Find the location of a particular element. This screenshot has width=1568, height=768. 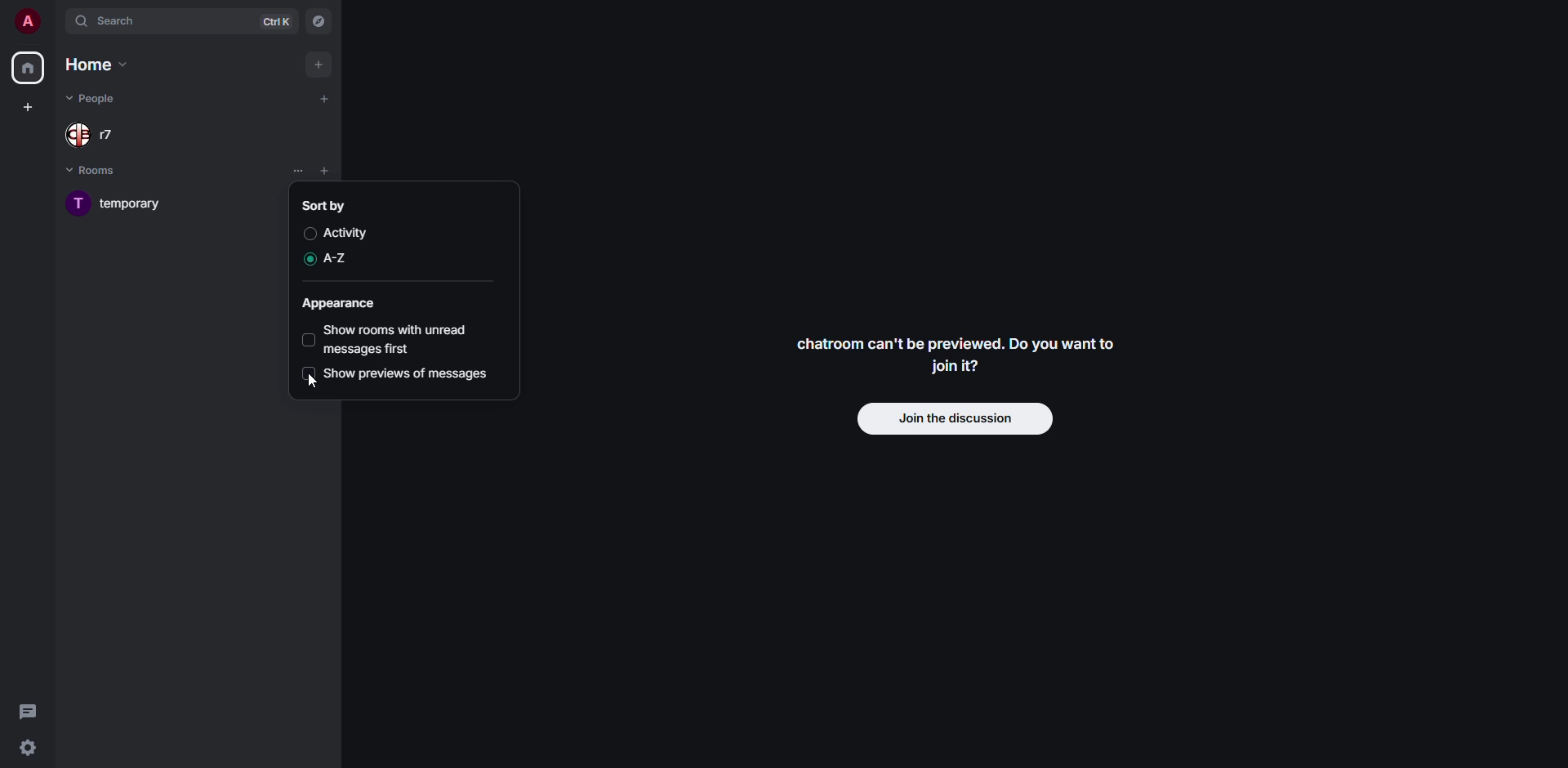

a-z is located at coordinates (338, 257).